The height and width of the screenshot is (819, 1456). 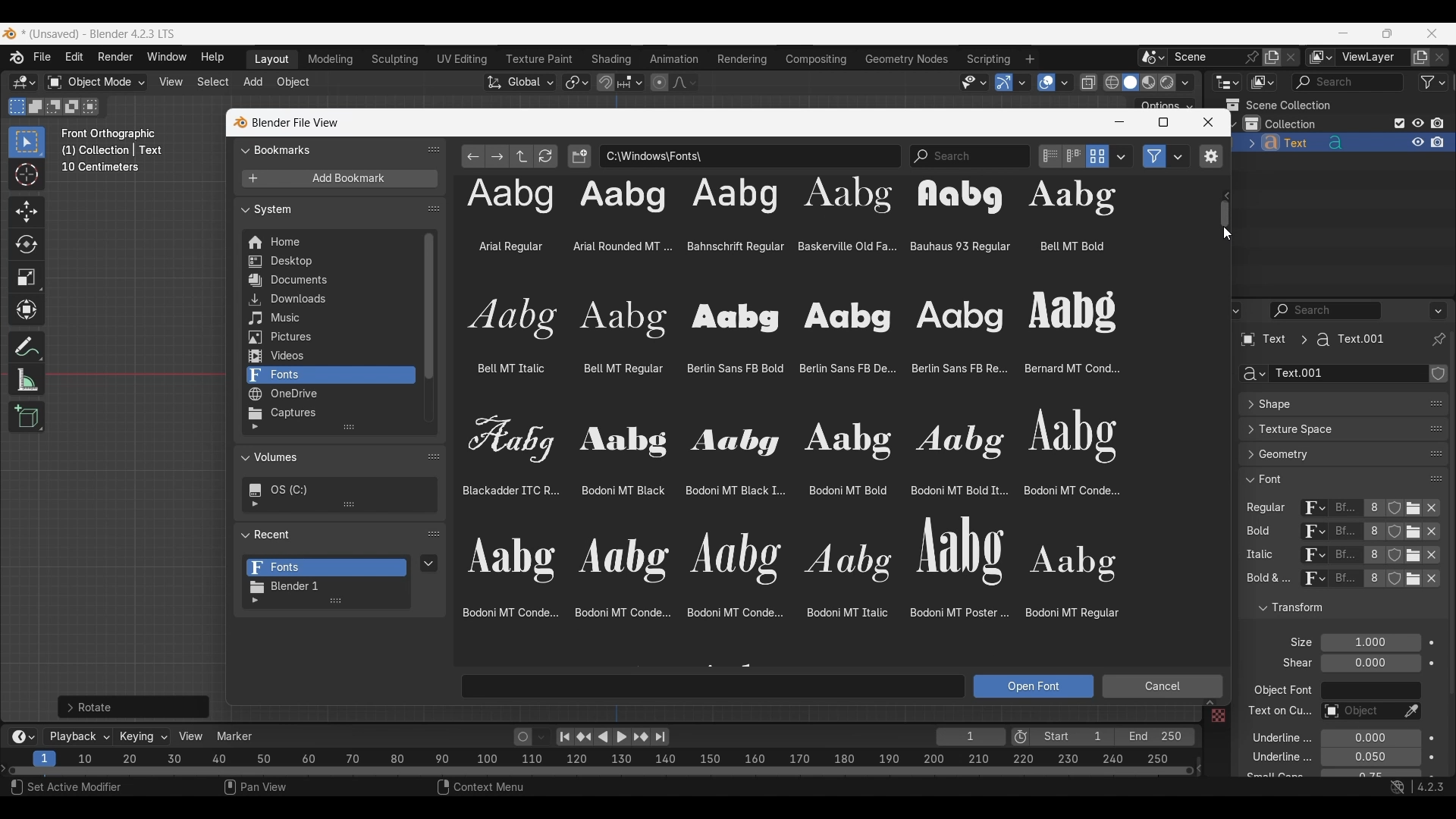 What do you see at coordinates (1372, 643) in the screenshot?
I see `Font size` at bounding box center [1372, 643].